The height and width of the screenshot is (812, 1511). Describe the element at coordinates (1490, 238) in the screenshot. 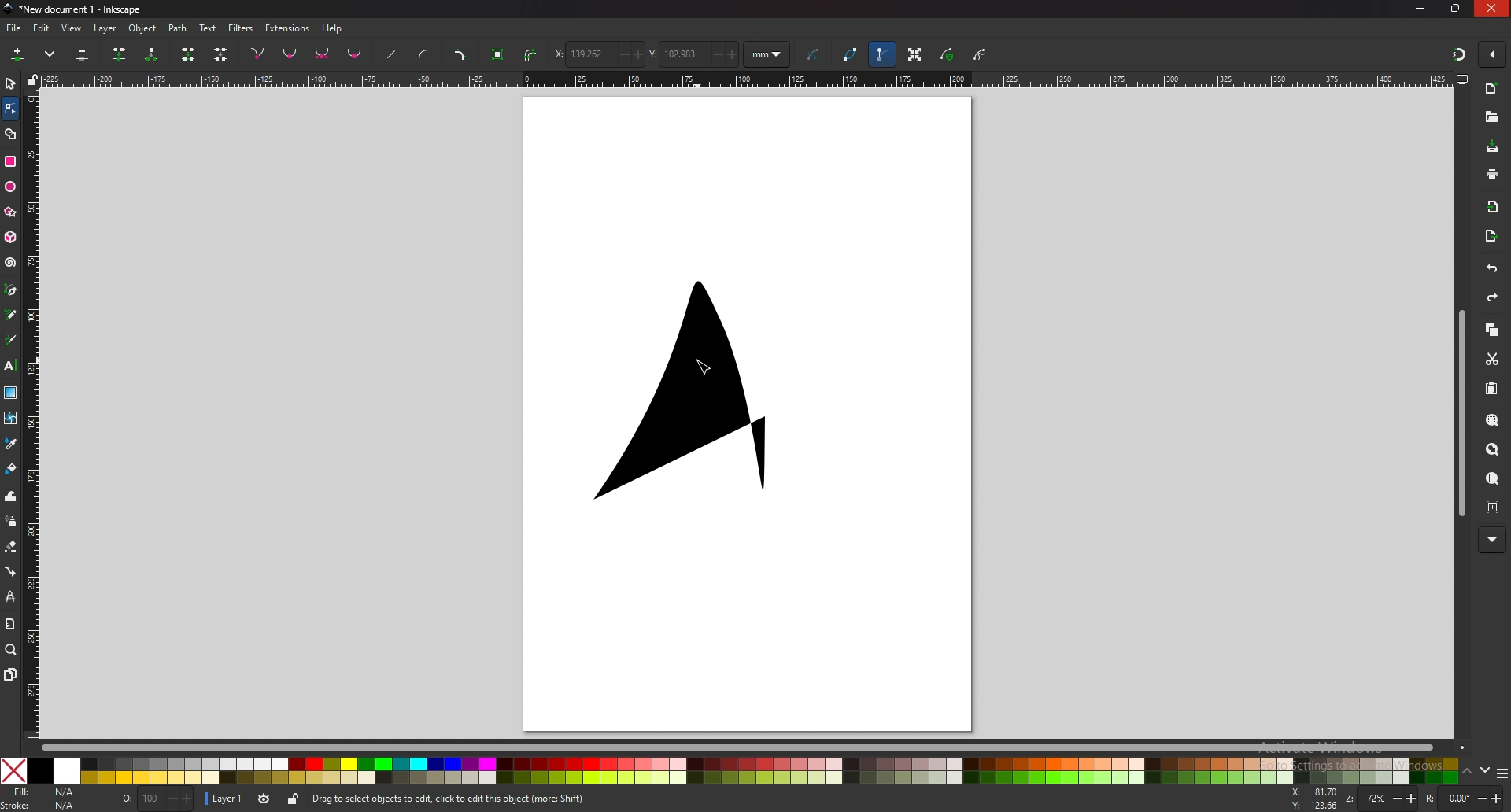

I see `export` at that location.